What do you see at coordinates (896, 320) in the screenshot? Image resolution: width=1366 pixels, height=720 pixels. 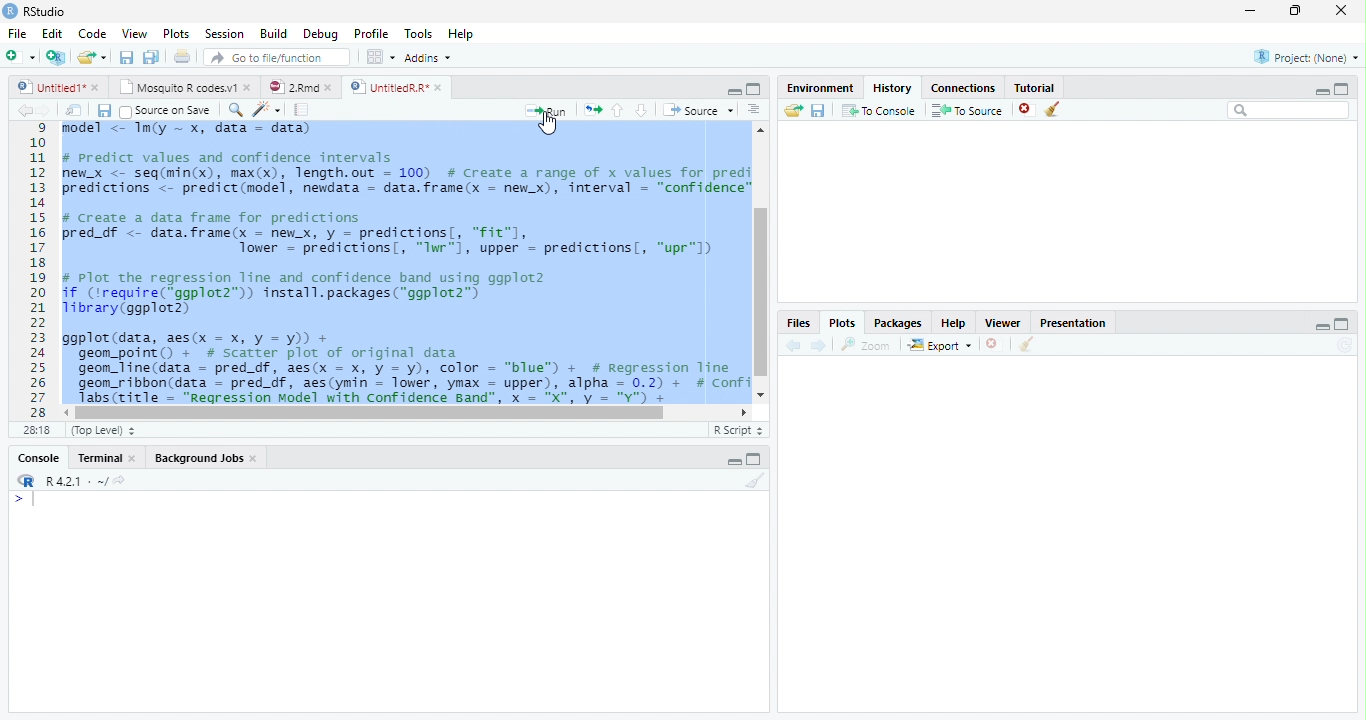 I see `Packages` at bounding box center [896, 320].